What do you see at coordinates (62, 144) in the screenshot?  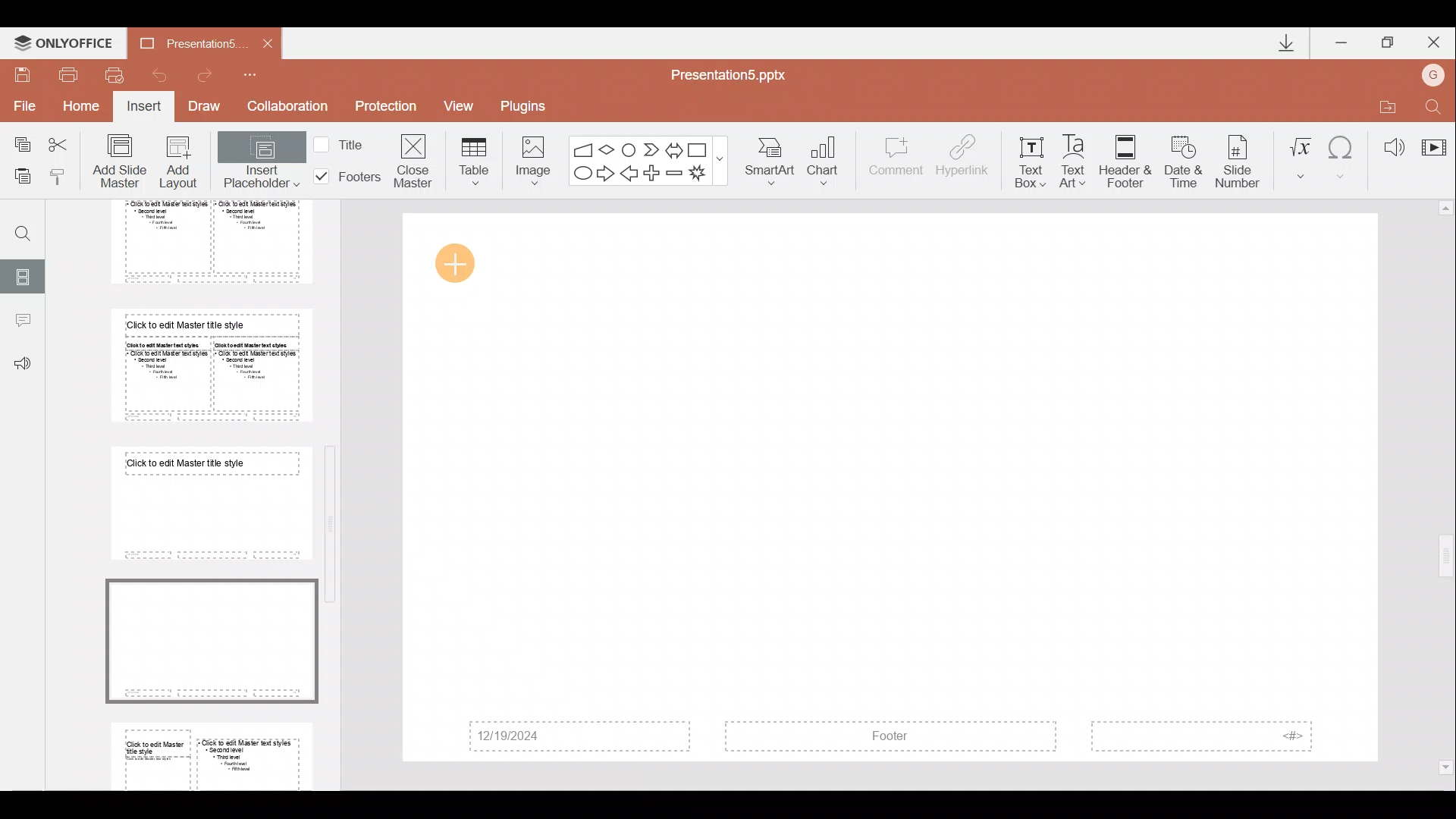 I see `Cut` at bounding box center [62, 144].